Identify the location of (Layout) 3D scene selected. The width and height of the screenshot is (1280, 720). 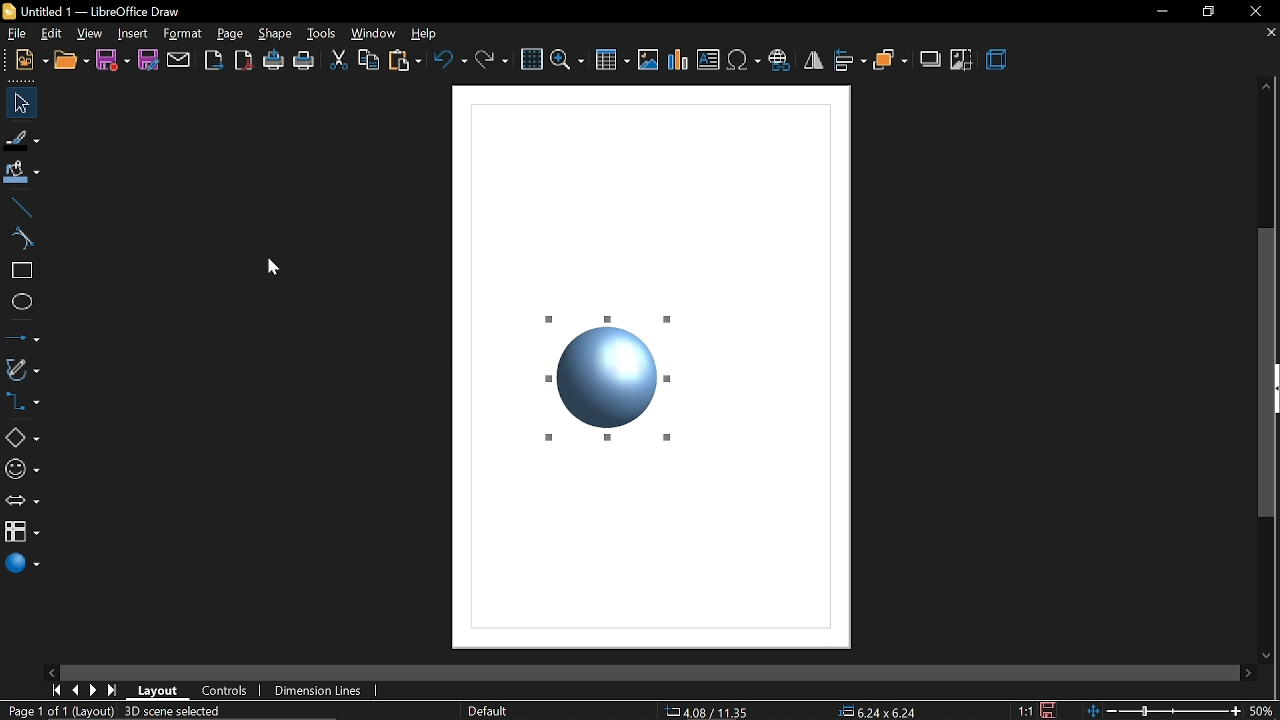
(153, 712).